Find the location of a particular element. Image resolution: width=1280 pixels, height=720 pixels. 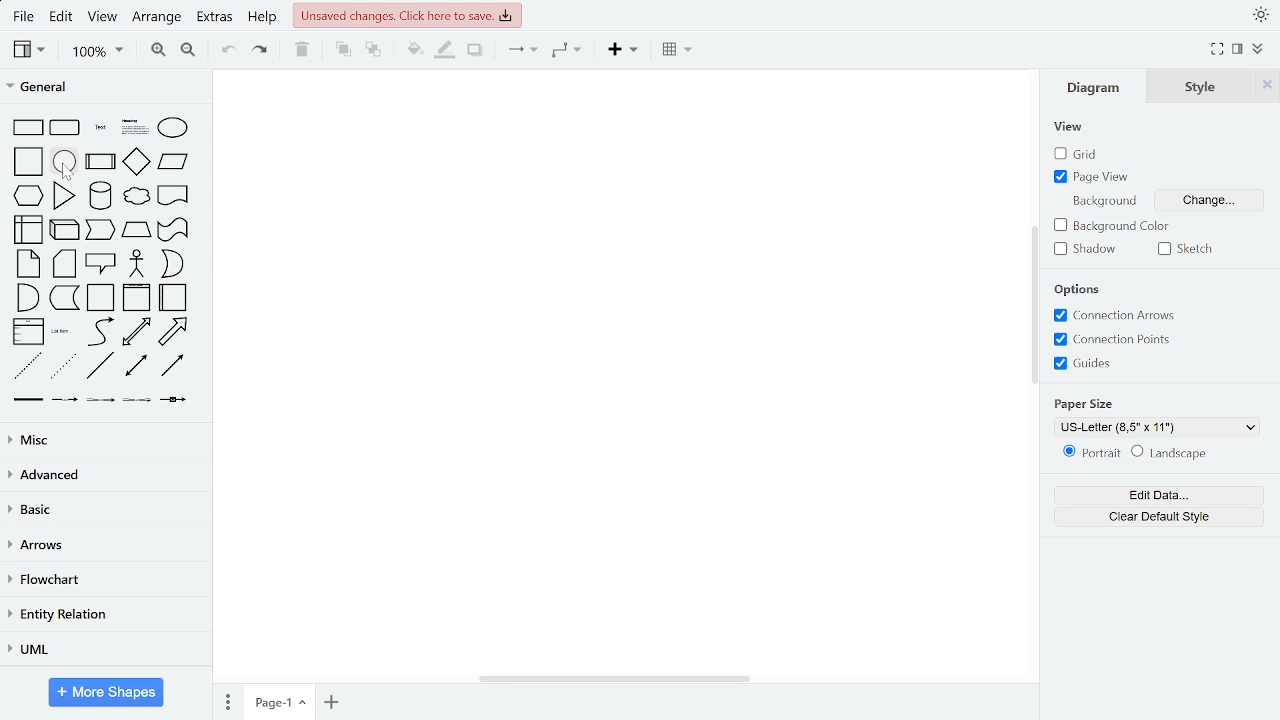

view is located at coordinates (29, 50).